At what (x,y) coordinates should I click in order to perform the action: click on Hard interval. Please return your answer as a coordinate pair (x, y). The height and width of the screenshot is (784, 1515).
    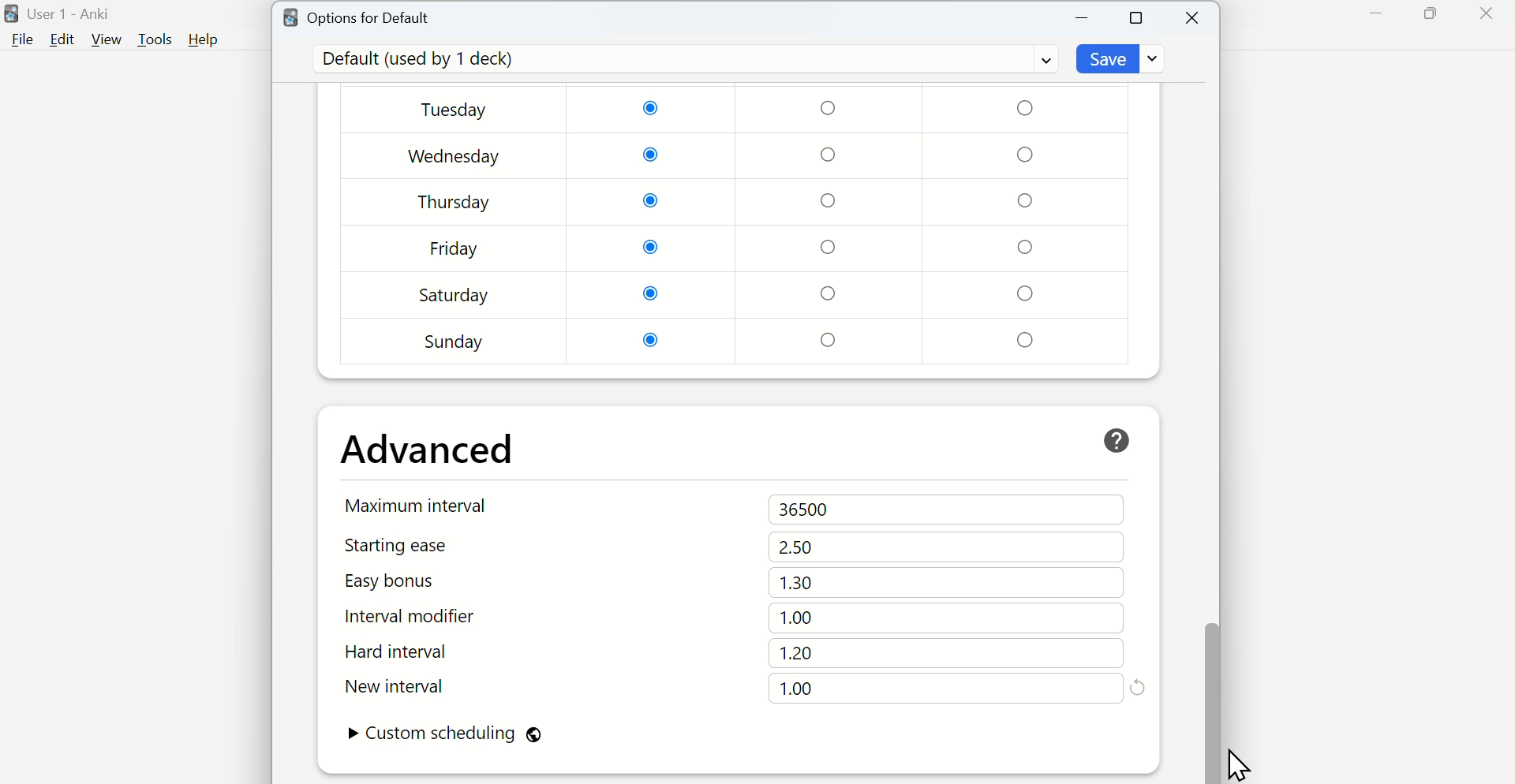
    Looking at the image, I should click on (416, 654).